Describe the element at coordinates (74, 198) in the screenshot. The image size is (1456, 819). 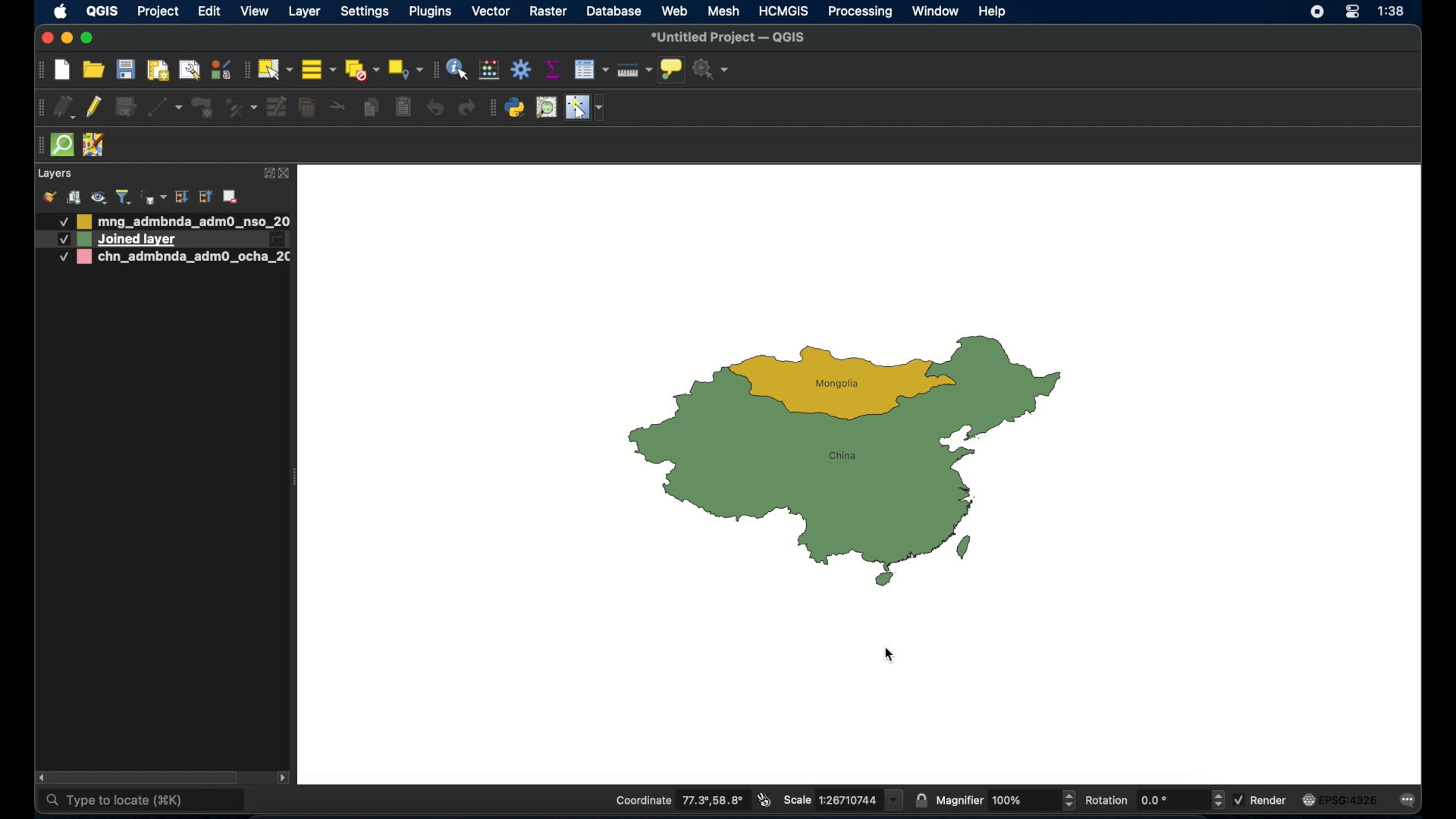
I see `add group` at that location.